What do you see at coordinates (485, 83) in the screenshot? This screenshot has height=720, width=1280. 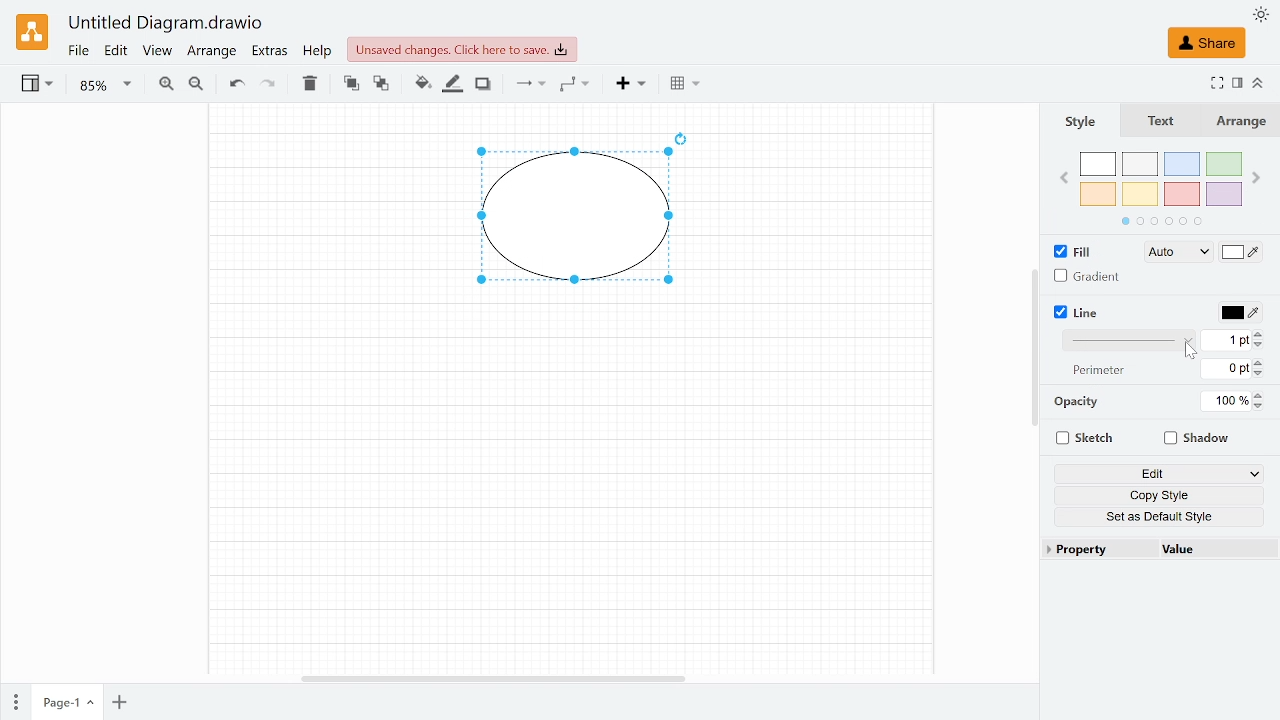 I see `Shadow` at bounding box center [485, 83].